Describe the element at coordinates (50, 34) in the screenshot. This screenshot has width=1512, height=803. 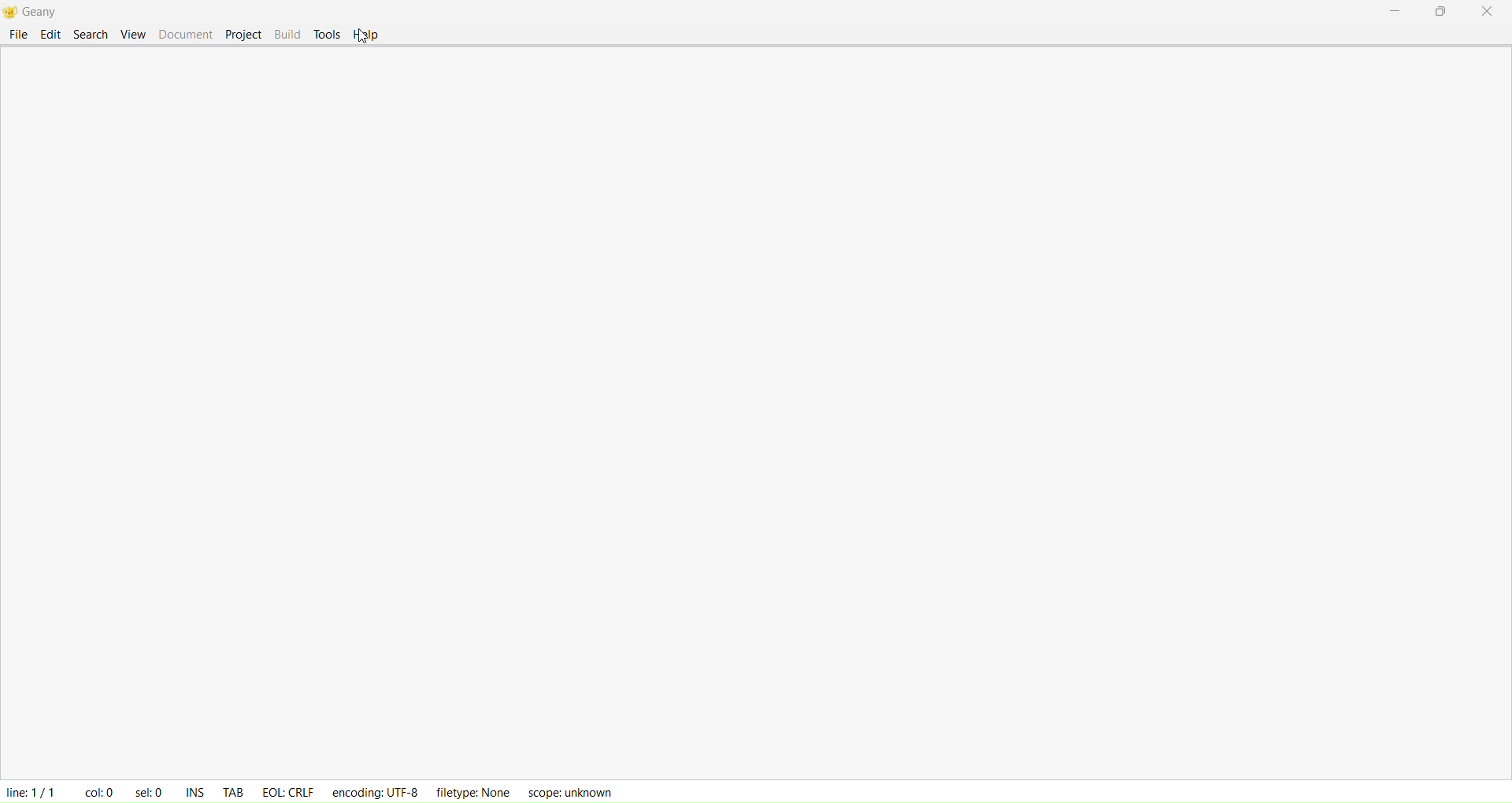
I see `edit` at that location.